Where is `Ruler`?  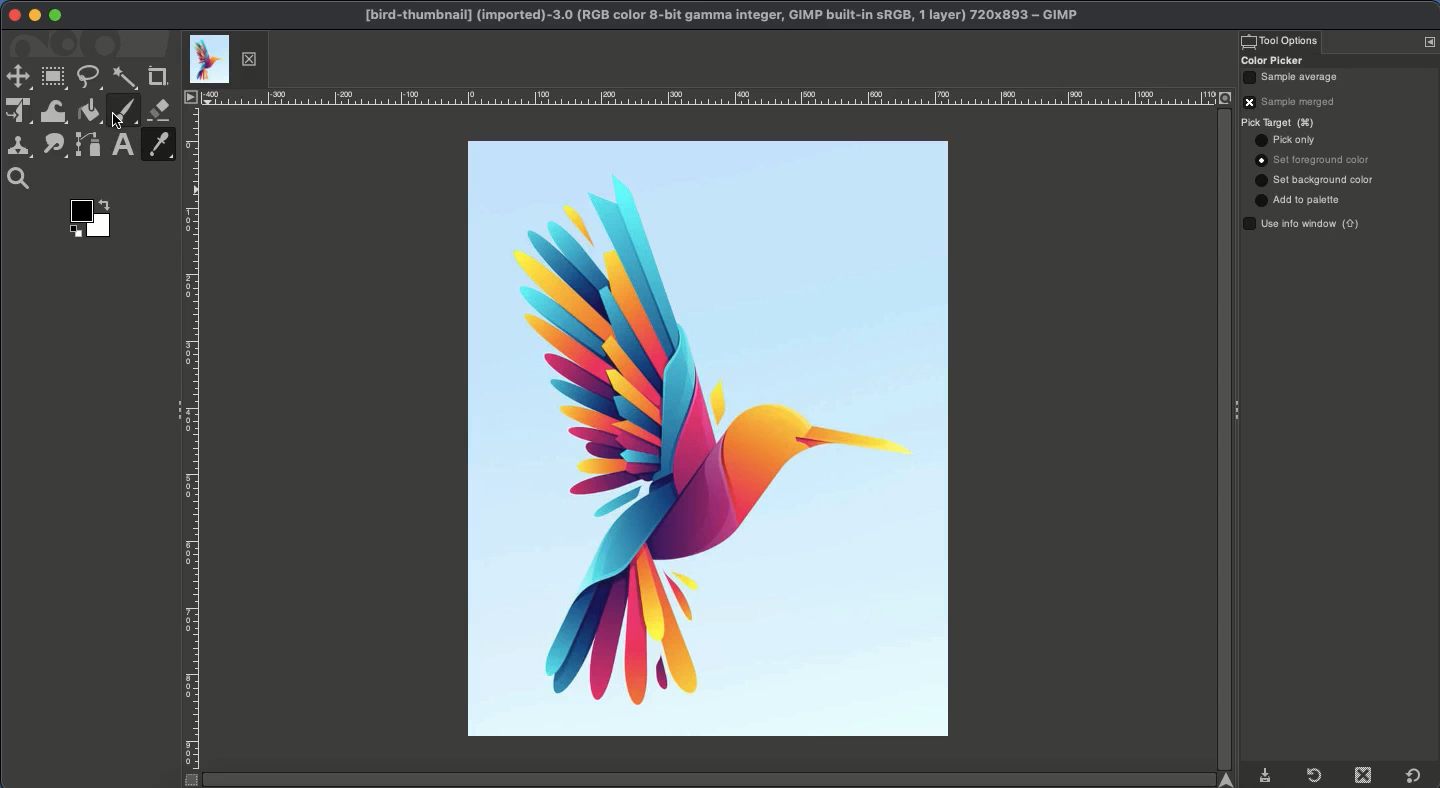 Ruler is located at coordinates (710, 97).